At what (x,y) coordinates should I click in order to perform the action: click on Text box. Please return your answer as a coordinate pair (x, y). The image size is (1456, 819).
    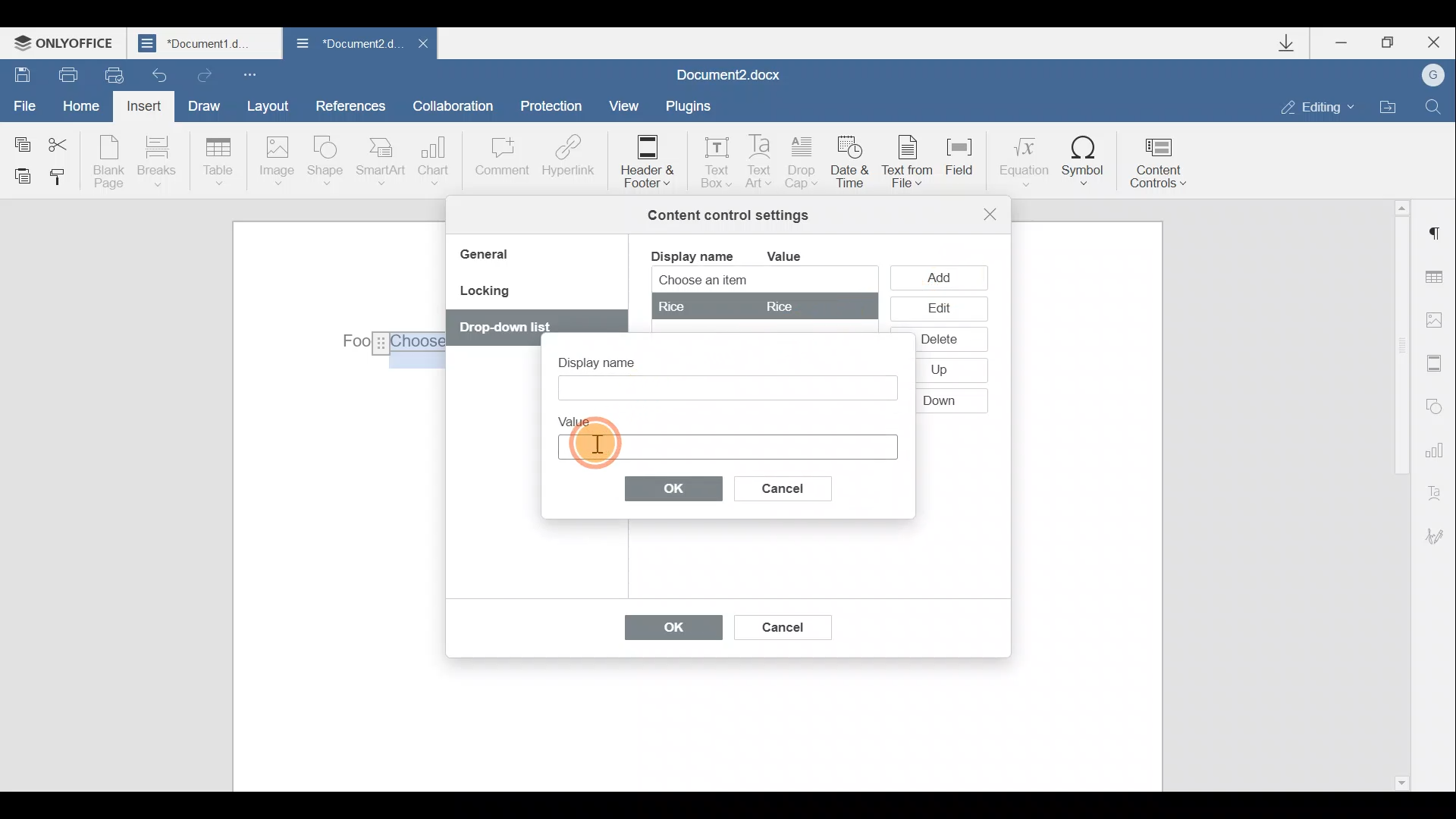
    Looking at the image, I should click on (725, 388).